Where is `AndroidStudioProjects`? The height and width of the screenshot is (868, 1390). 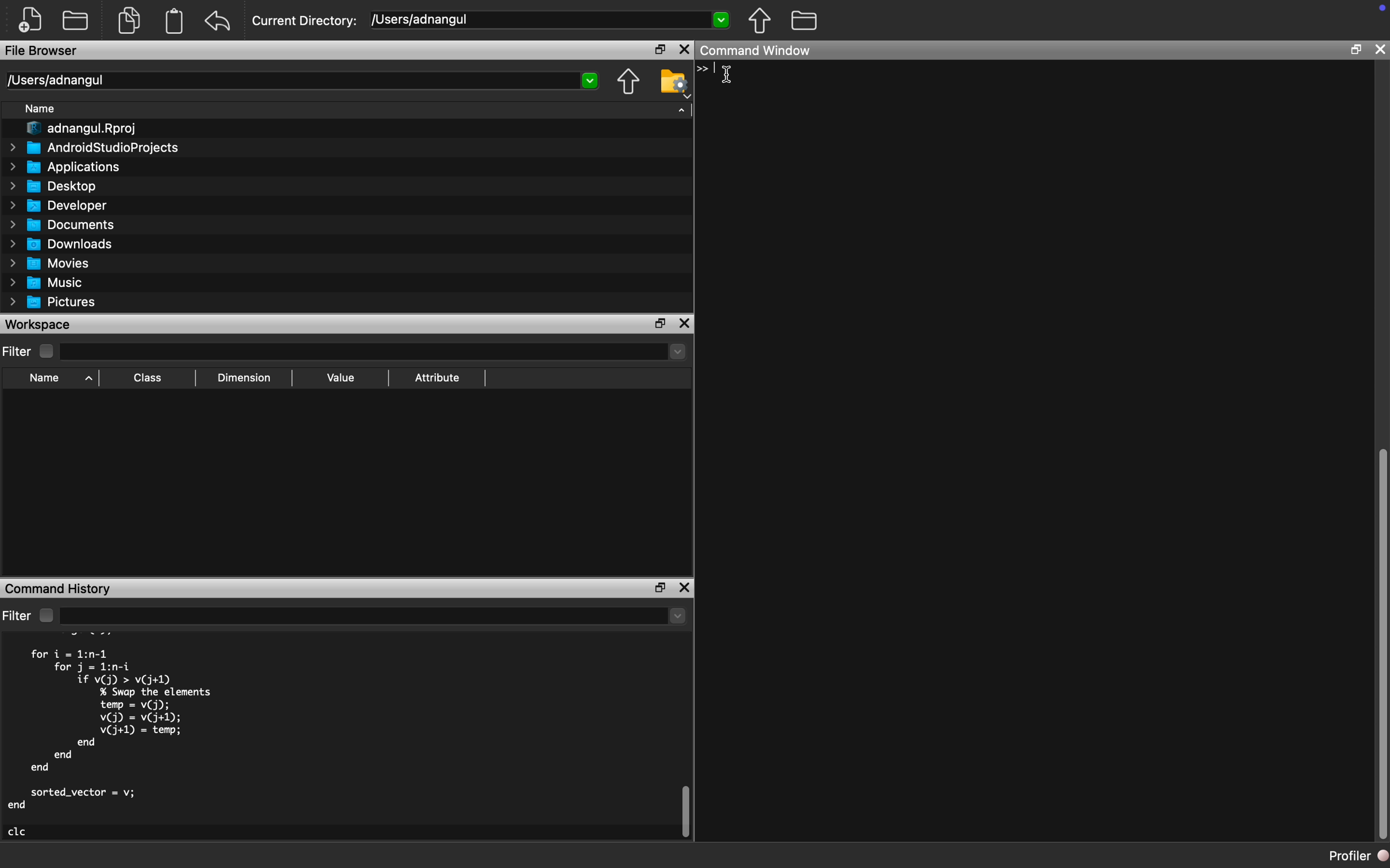 AndroidStudioProjects is located at coordinates (92, 148).